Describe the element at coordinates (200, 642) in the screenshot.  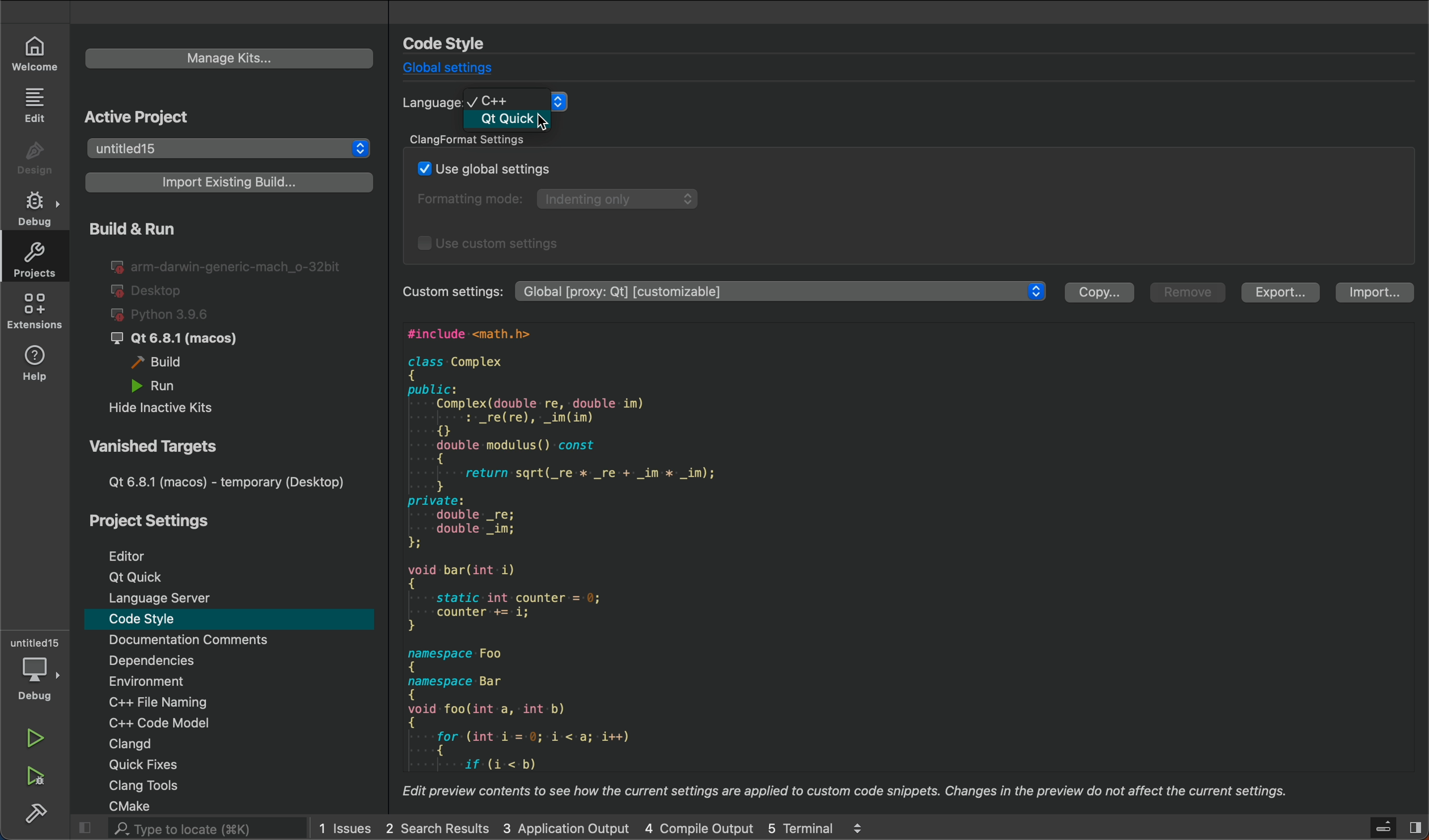
I see `` at that location.